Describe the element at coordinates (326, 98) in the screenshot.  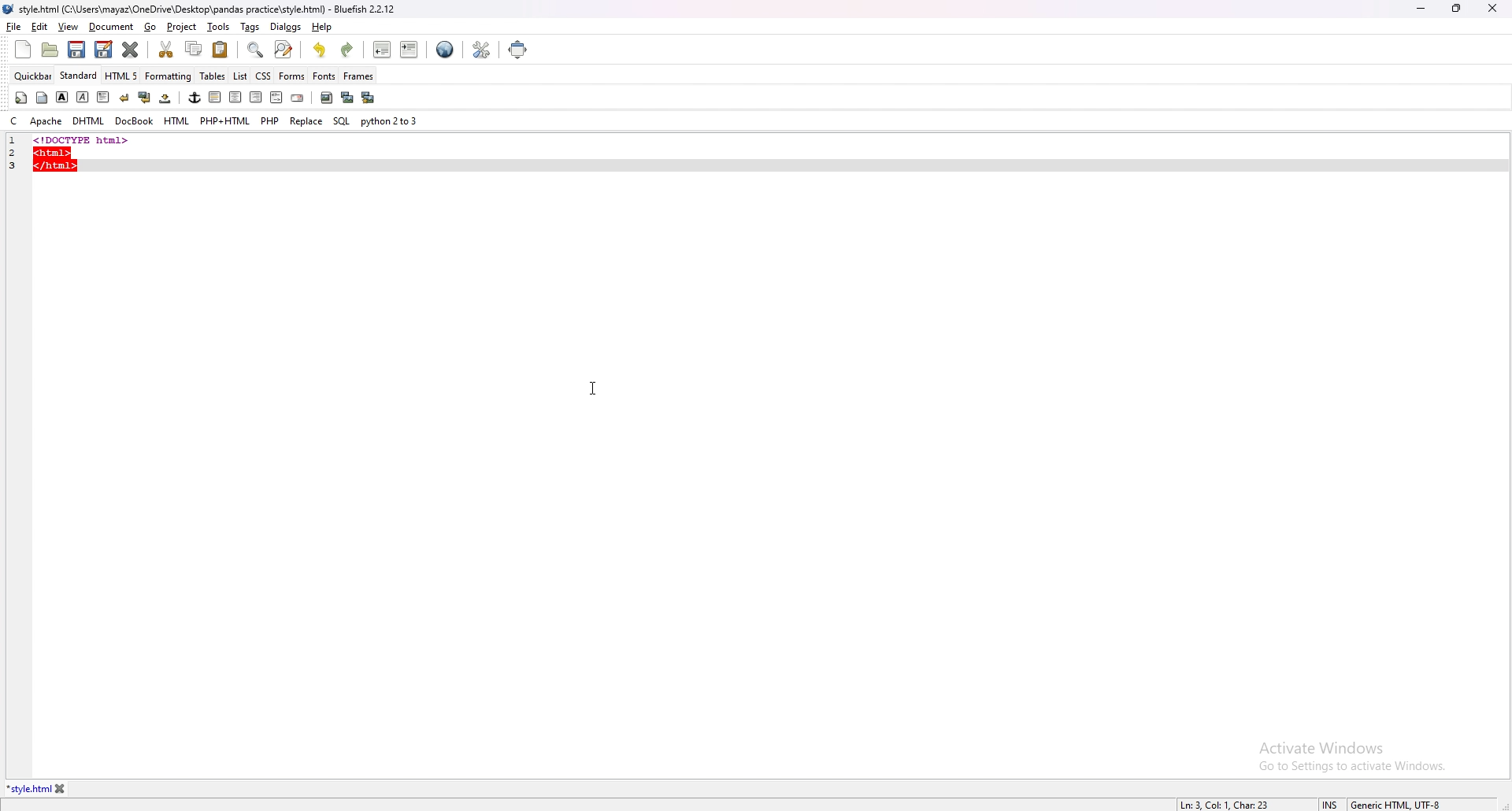
I see `insert image` at that location.